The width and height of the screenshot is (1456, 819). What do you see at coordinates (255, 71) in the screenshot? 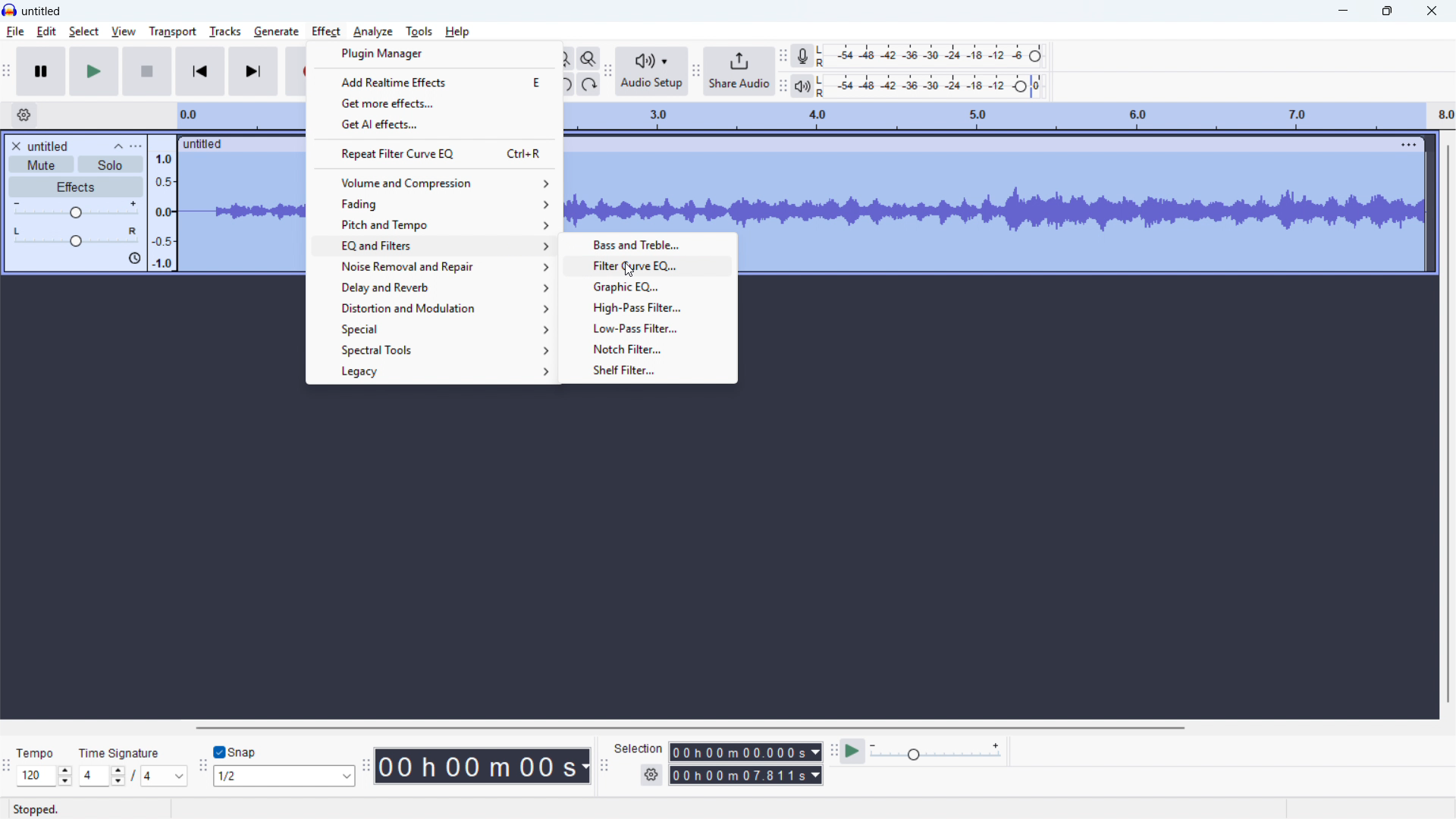
I see `skip to end` at bounding box center [255, 71].